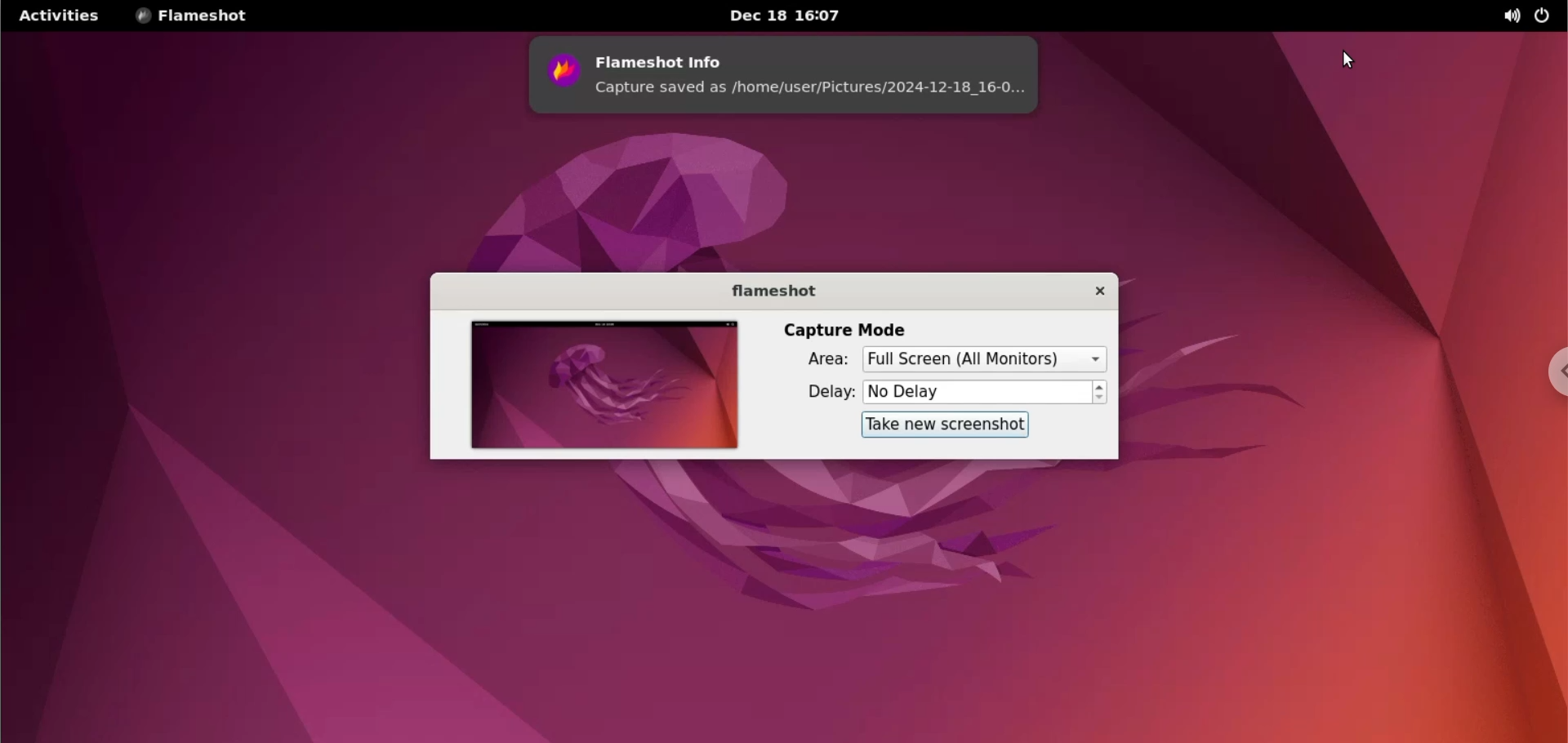  I want to click on ACTIVITIES, so click(58, 16).